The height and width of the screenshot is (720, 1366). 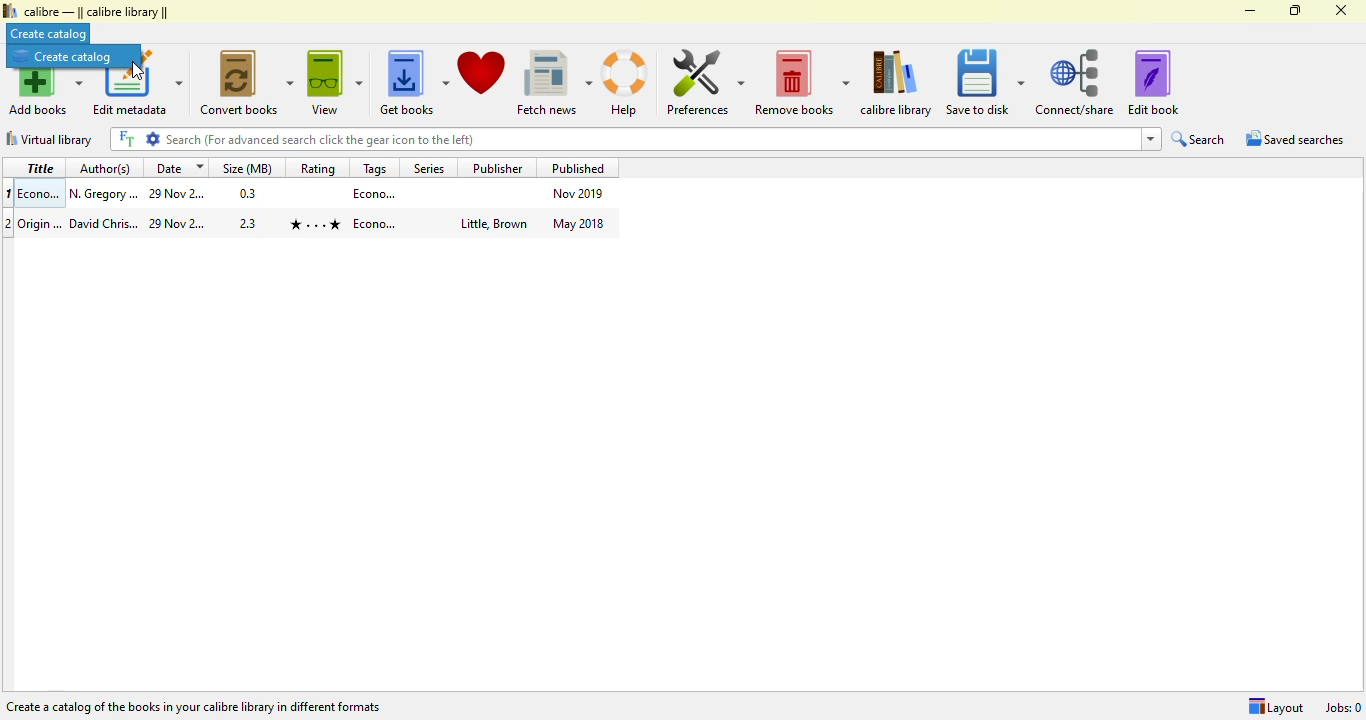 What do you see at coordinates (137, 70) in the screenshot?
I see `cursor` at bounding box center [137, 70].